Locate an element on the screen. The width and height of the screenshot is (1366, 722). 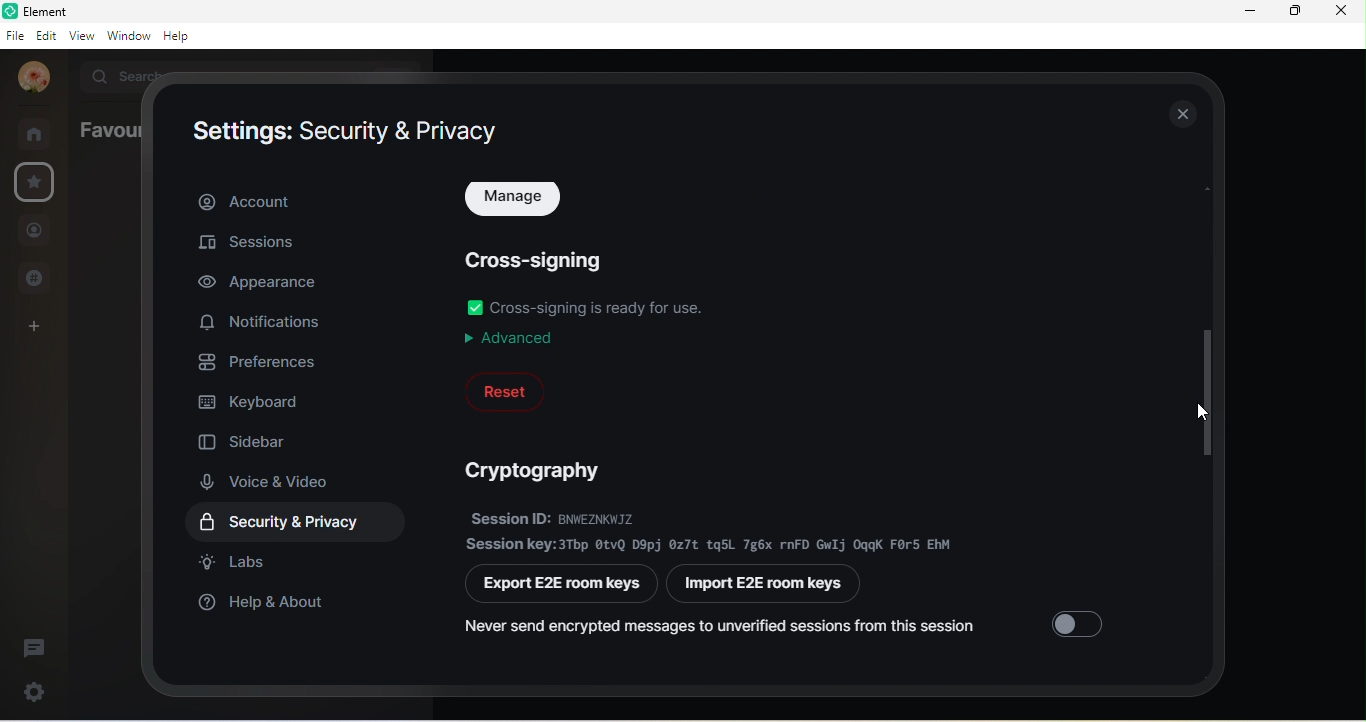
toggle switch is located at coordinates (475, 307).